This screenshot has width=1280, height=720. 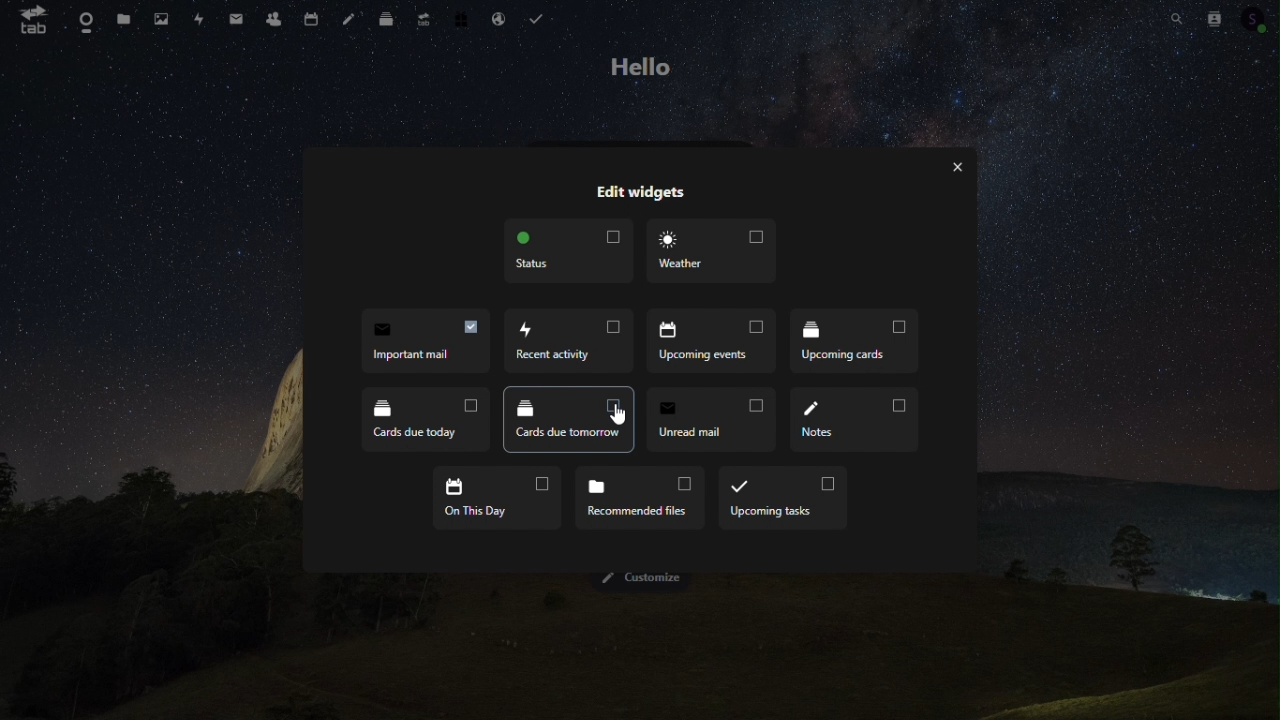 What do you see at coordinates (495, 18) in the screenshot?
I see `Email hosting` at bounding box center [495, 18].